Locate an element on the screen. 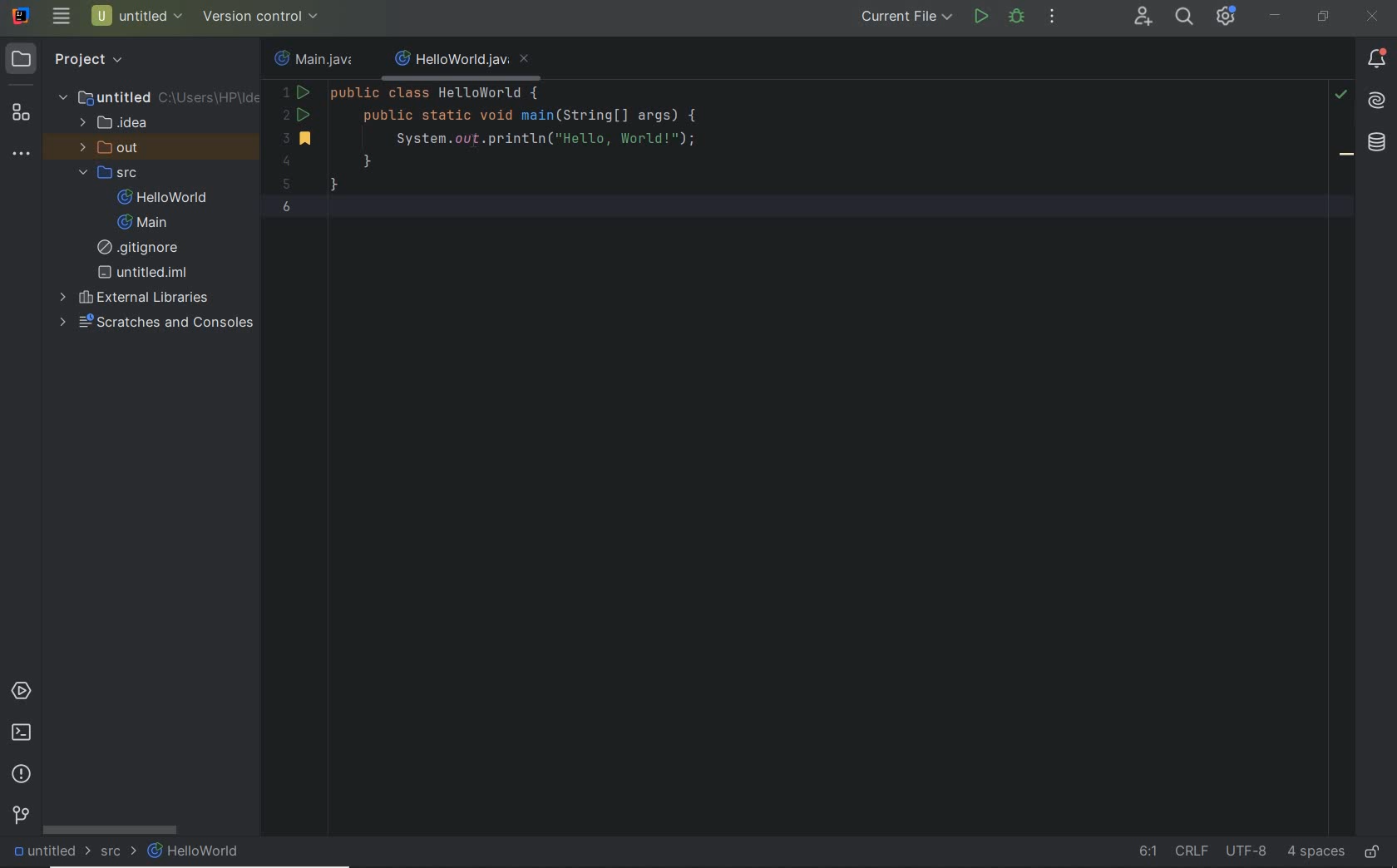  run is located at coordinates (981, 16).